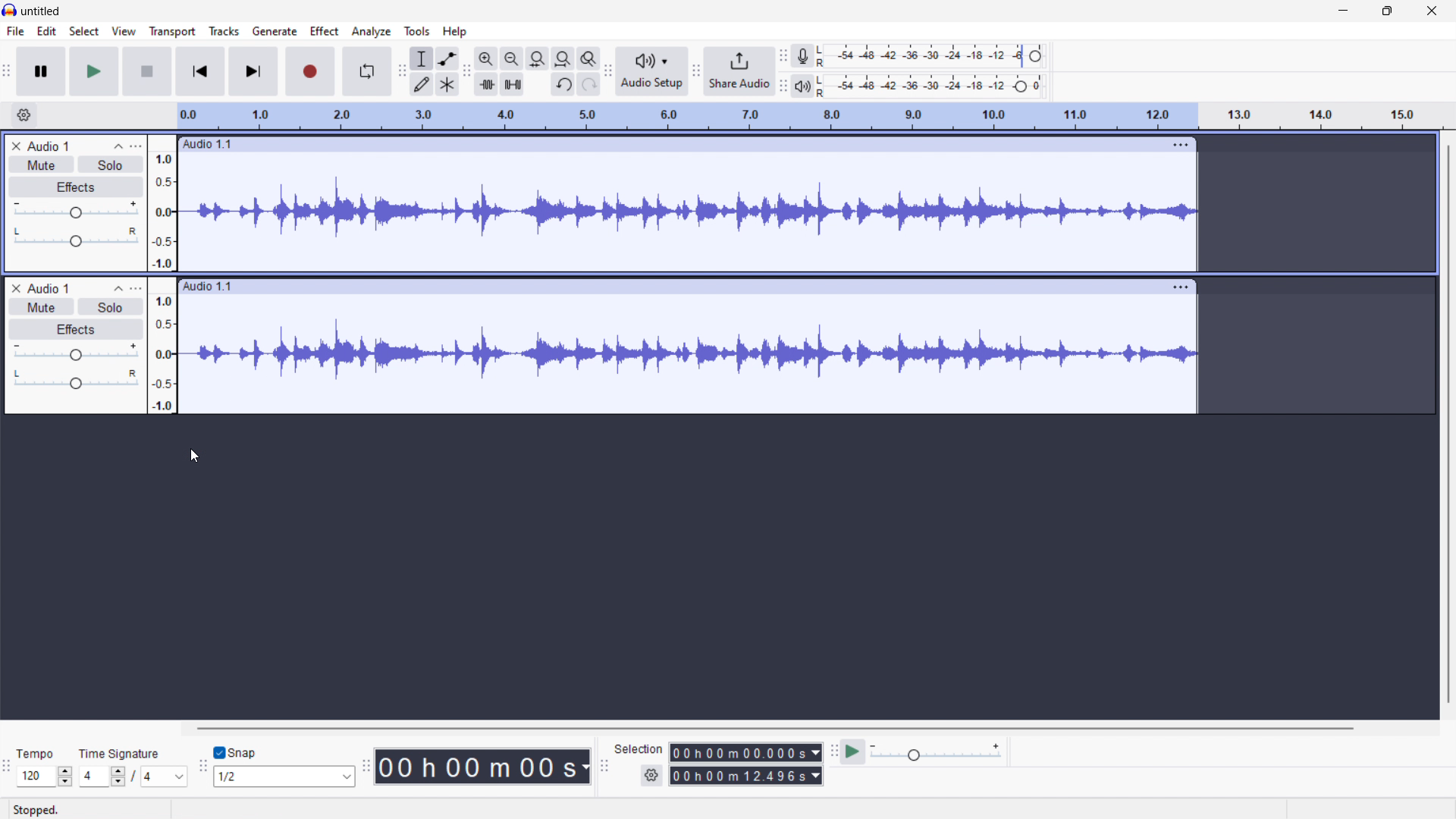 The image size is (1456, 819). What do you see at coordinates (16, 31) in the screenshot?
I see `file` at bounding box center [16, 31].